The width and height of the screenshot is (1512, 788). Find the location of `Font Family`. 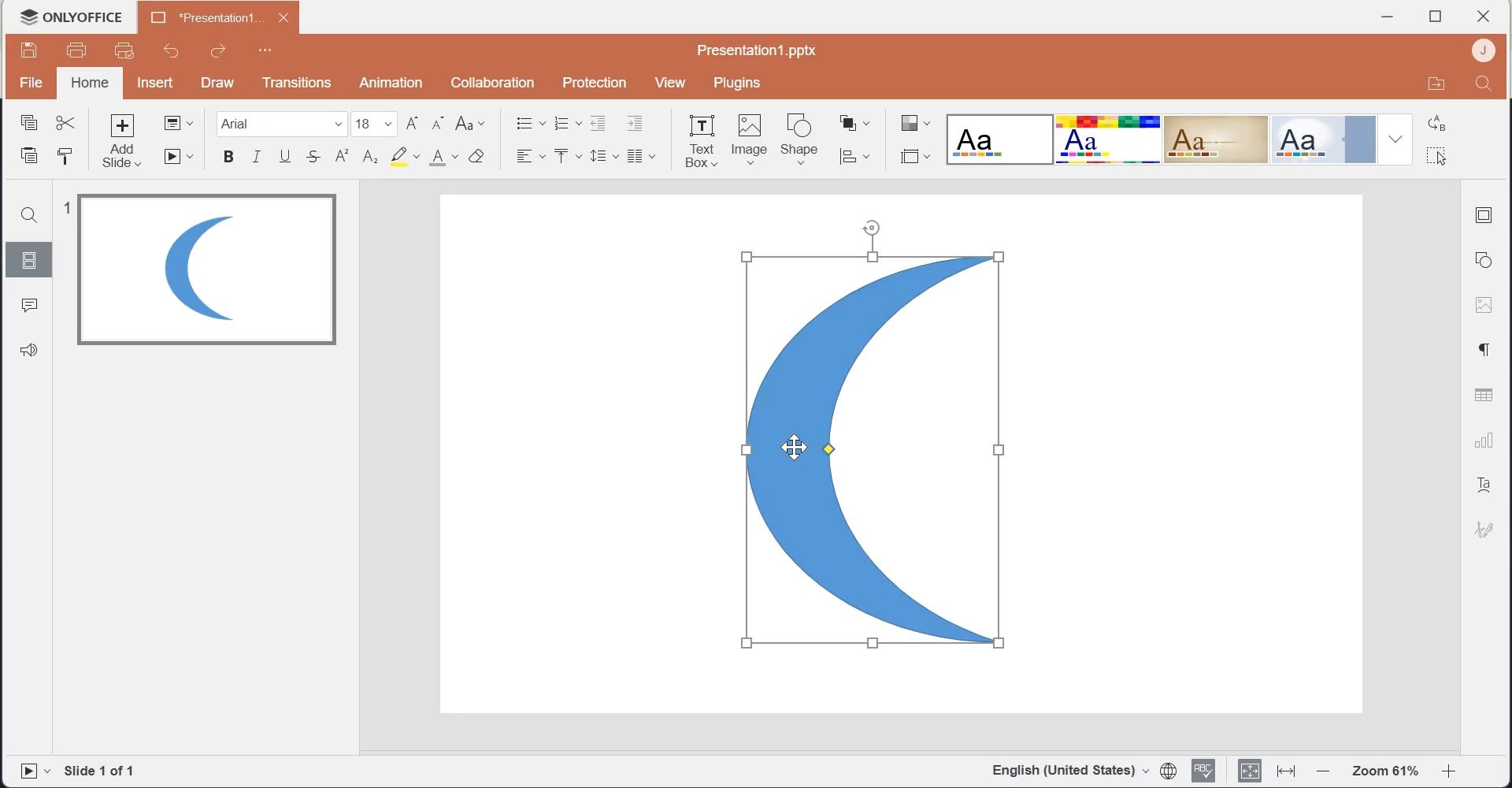

Font Family is located at coordinates (283, 124).